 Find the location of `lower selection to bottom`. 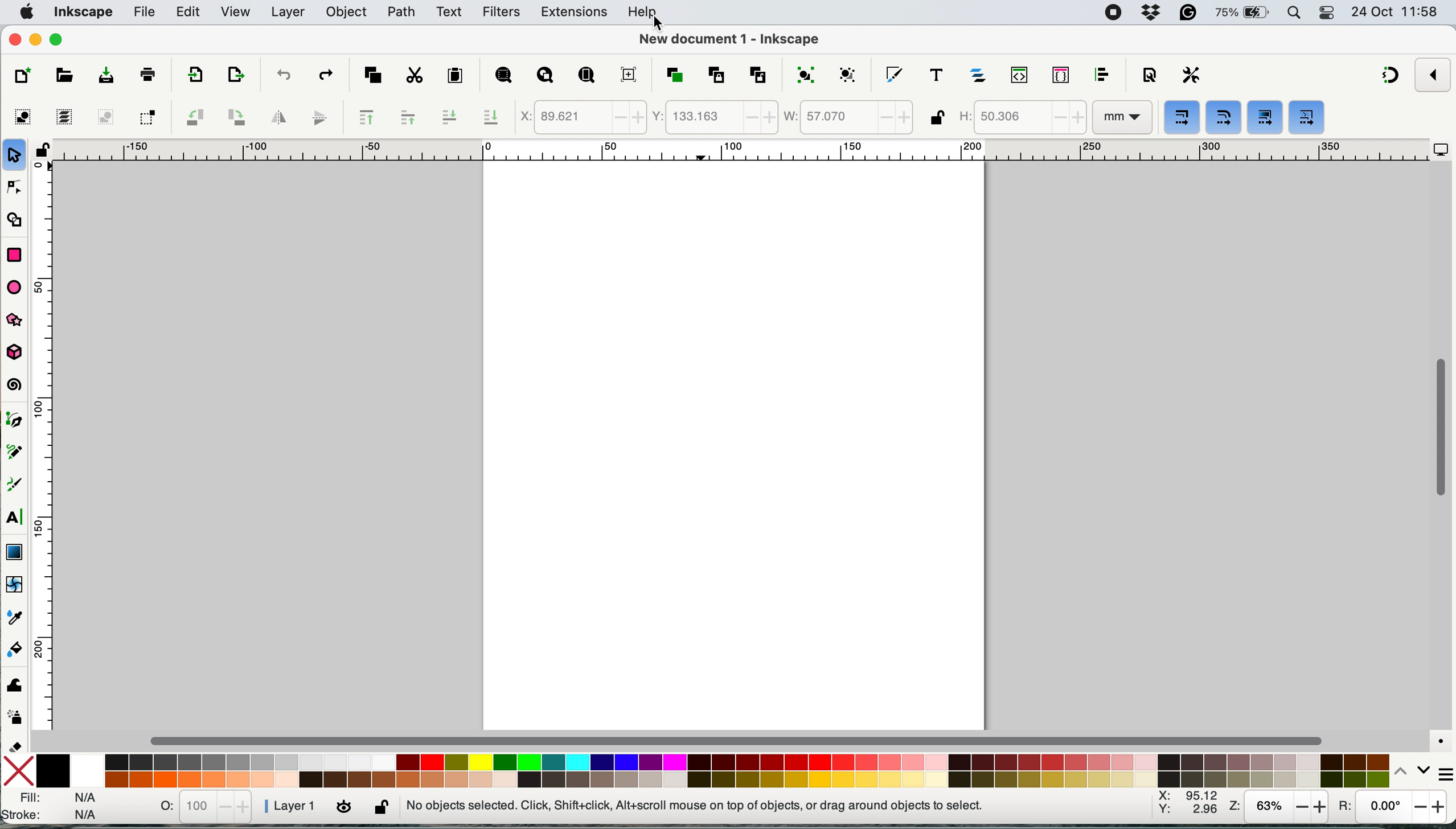

lower selection to bottom is located at coordinates (490, 121).